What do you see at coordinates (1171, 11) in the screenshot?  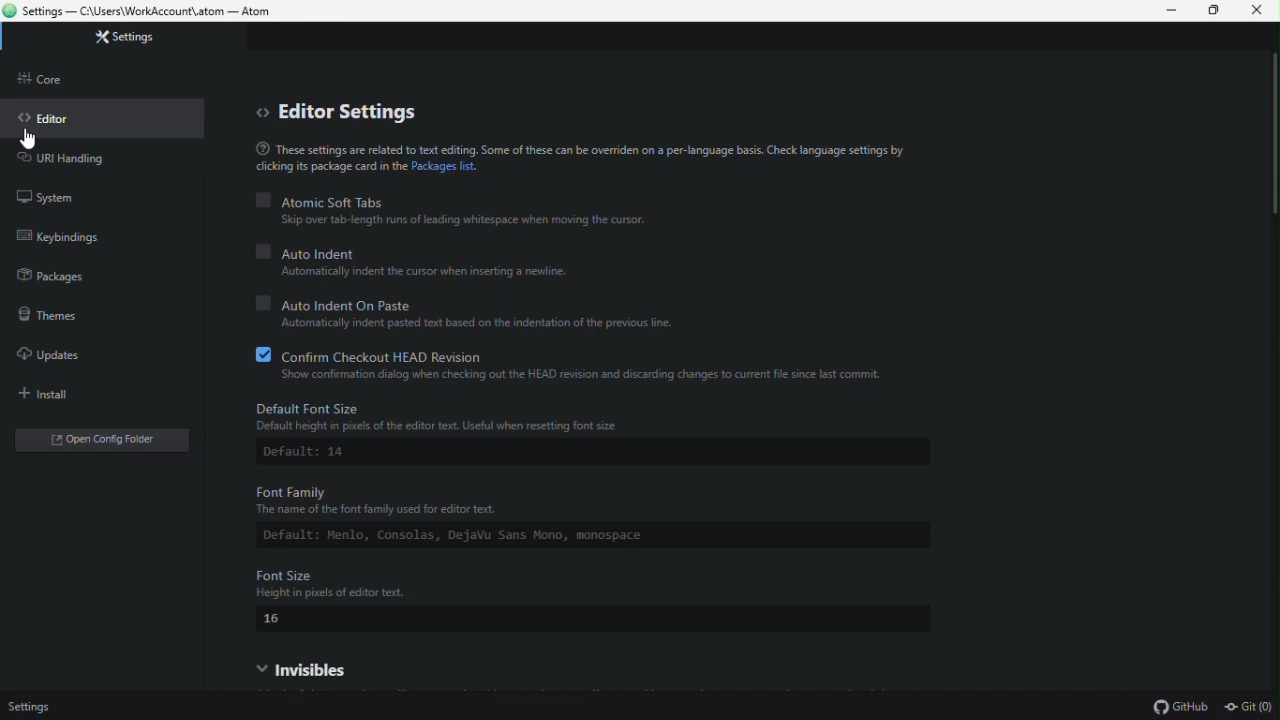 I see `Minimize` at bounding box center [1171, 11].